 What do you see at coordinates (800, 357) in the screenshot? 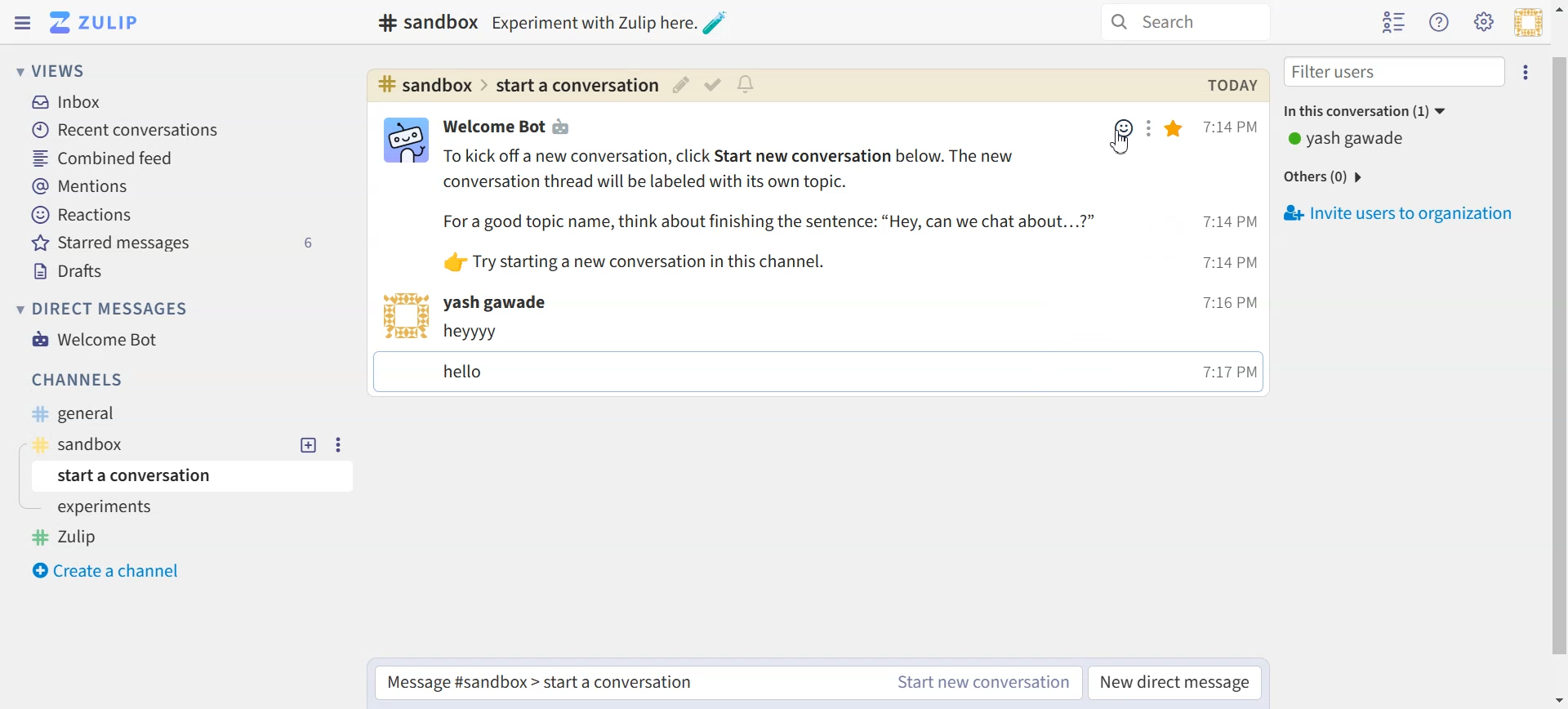
I see `Text` at bounding box center [800, 357].